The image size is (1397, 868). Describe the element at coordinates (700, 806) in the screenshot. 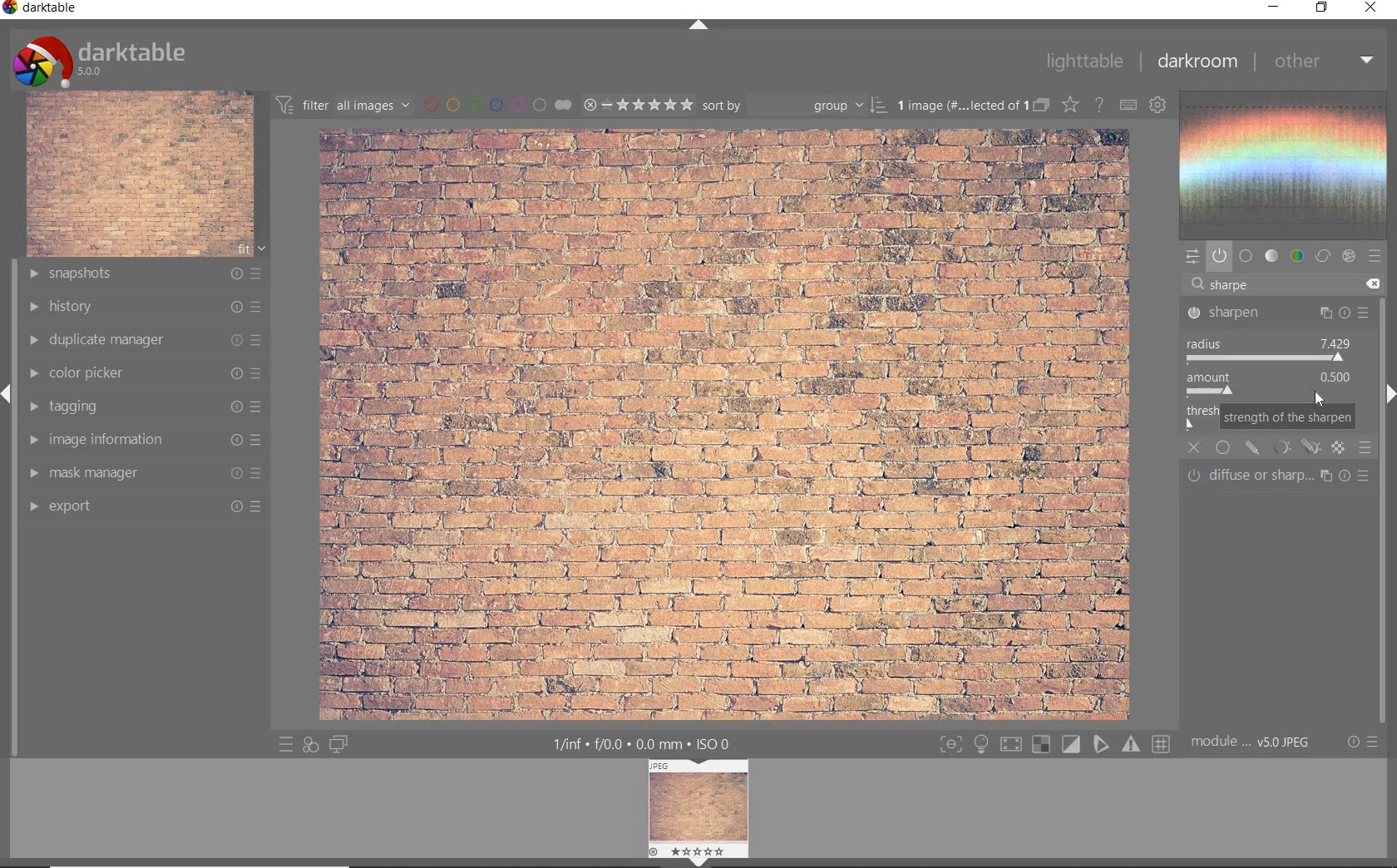

I see `image preview` at that location.